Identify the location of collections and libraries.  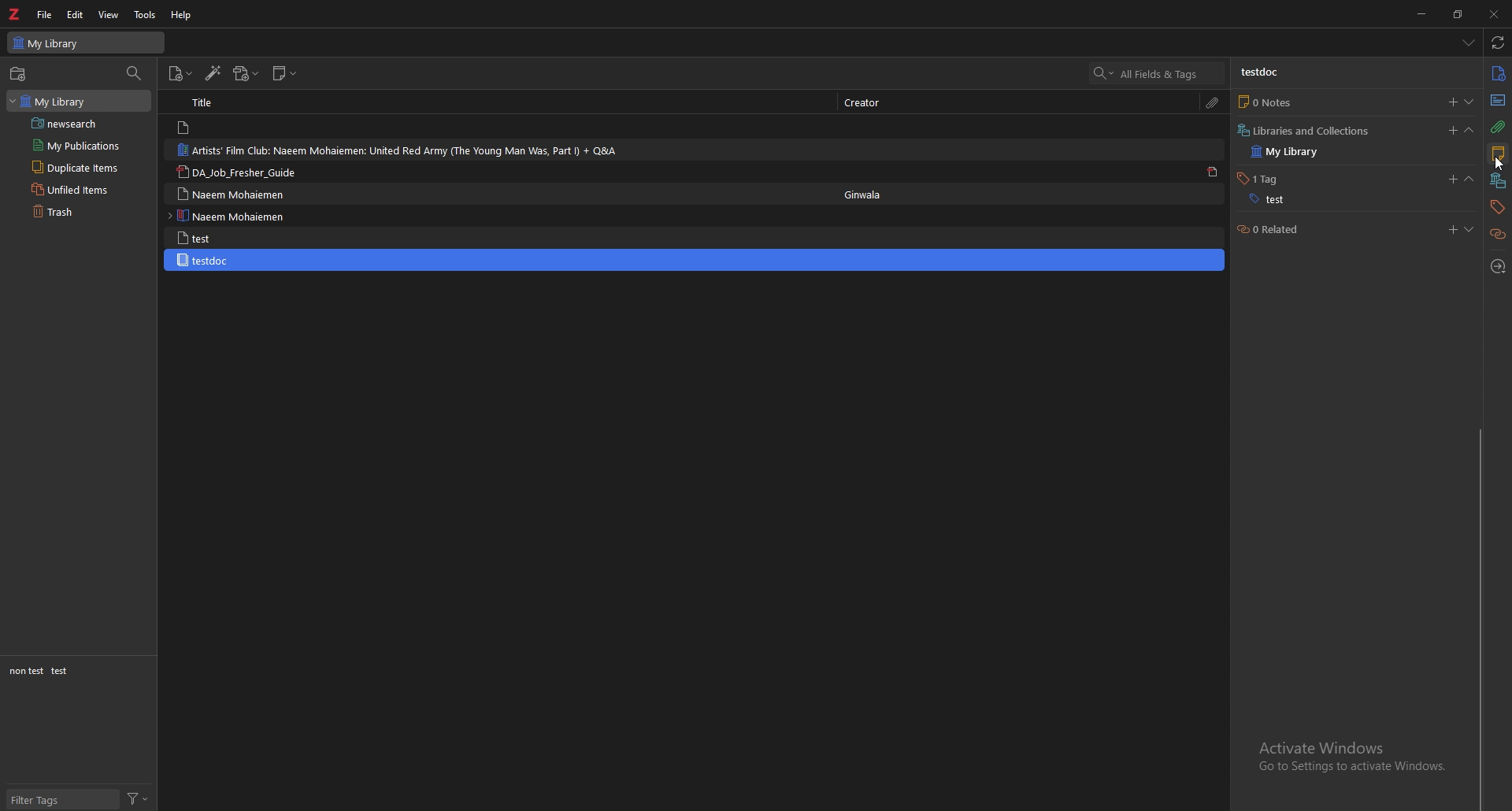
(1499, 180).